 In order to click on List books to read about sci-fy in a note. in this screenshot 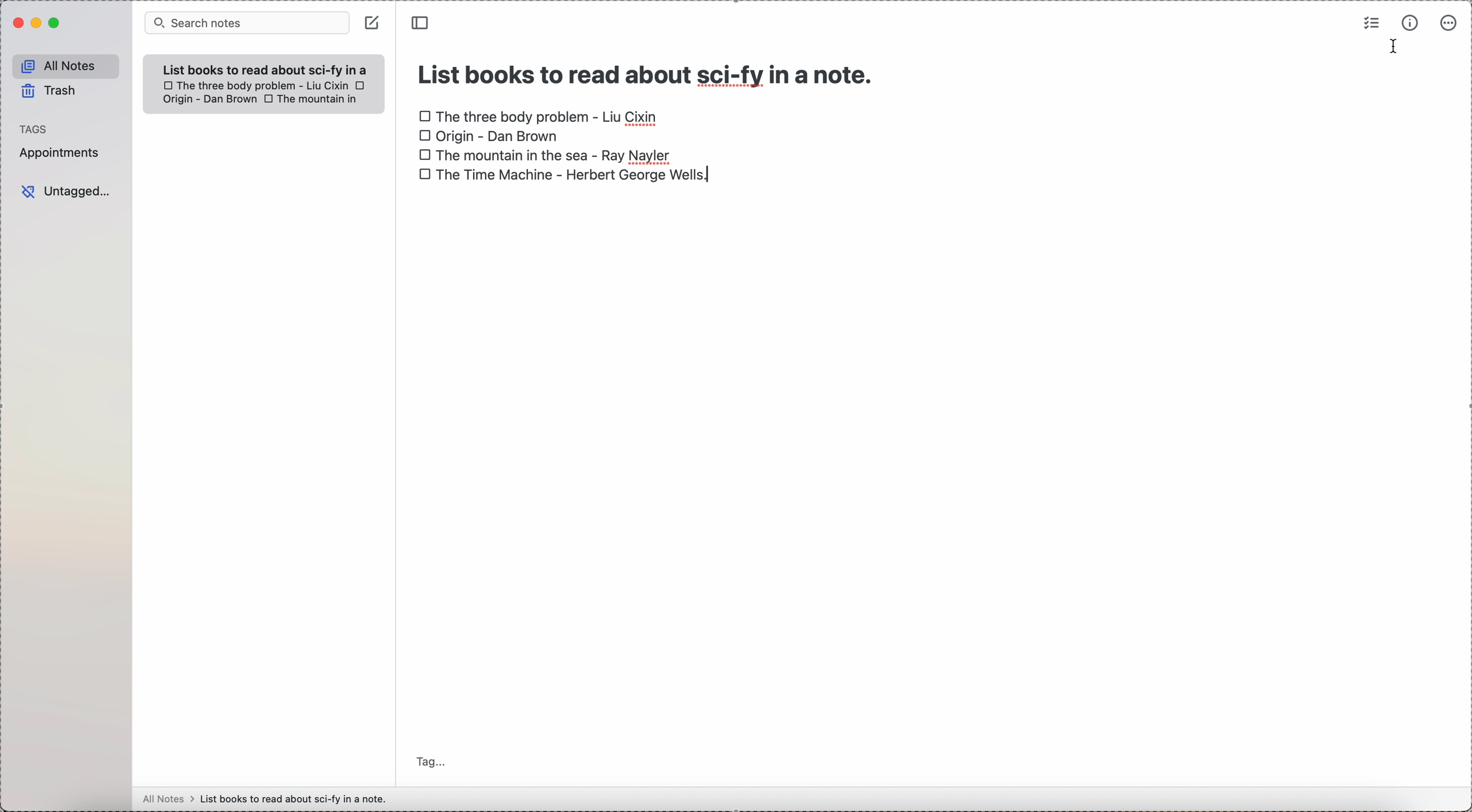, I will do `click(266, 69)`.